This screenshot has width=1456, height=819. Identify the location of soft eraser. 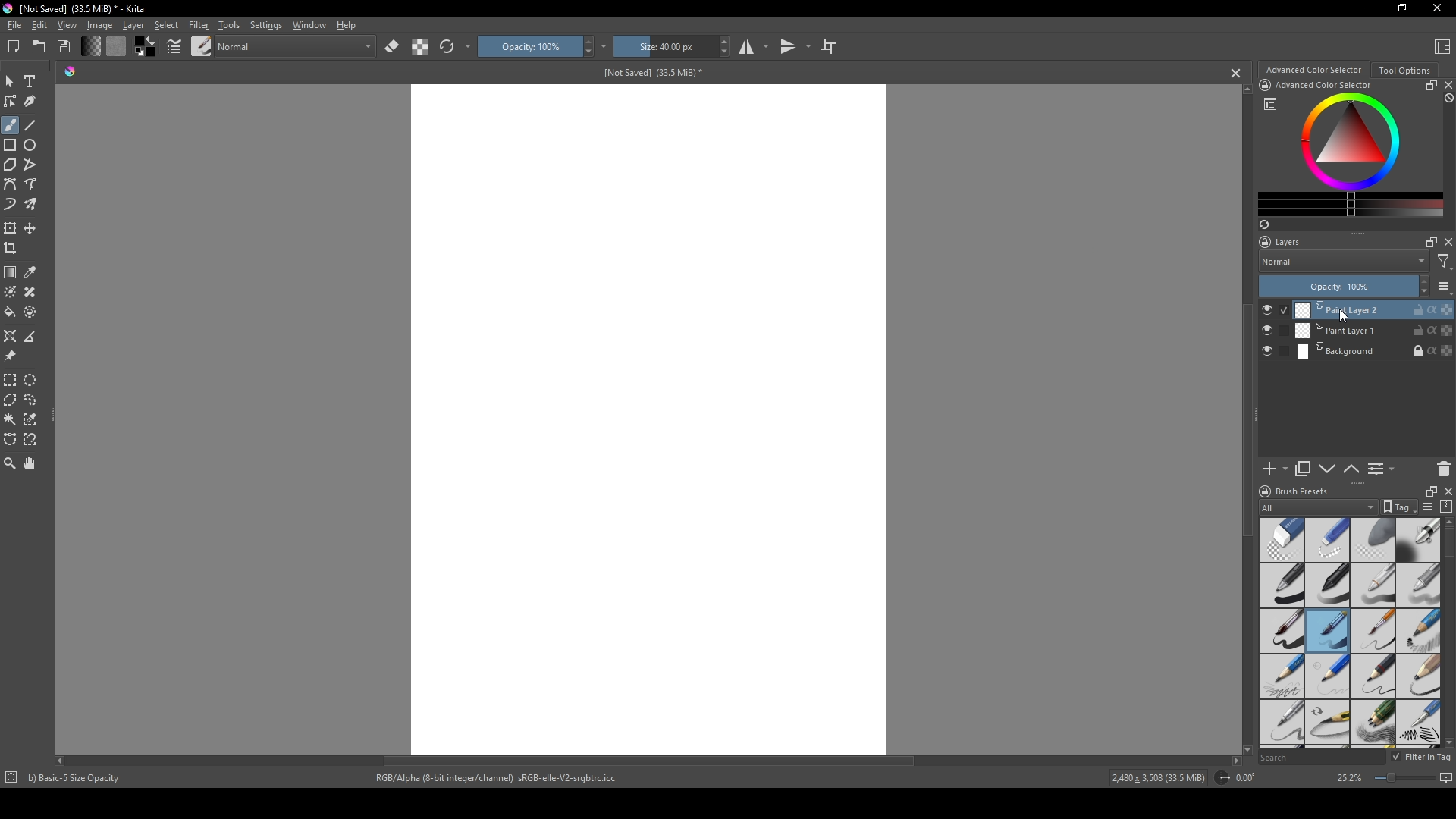
(1373, 539).